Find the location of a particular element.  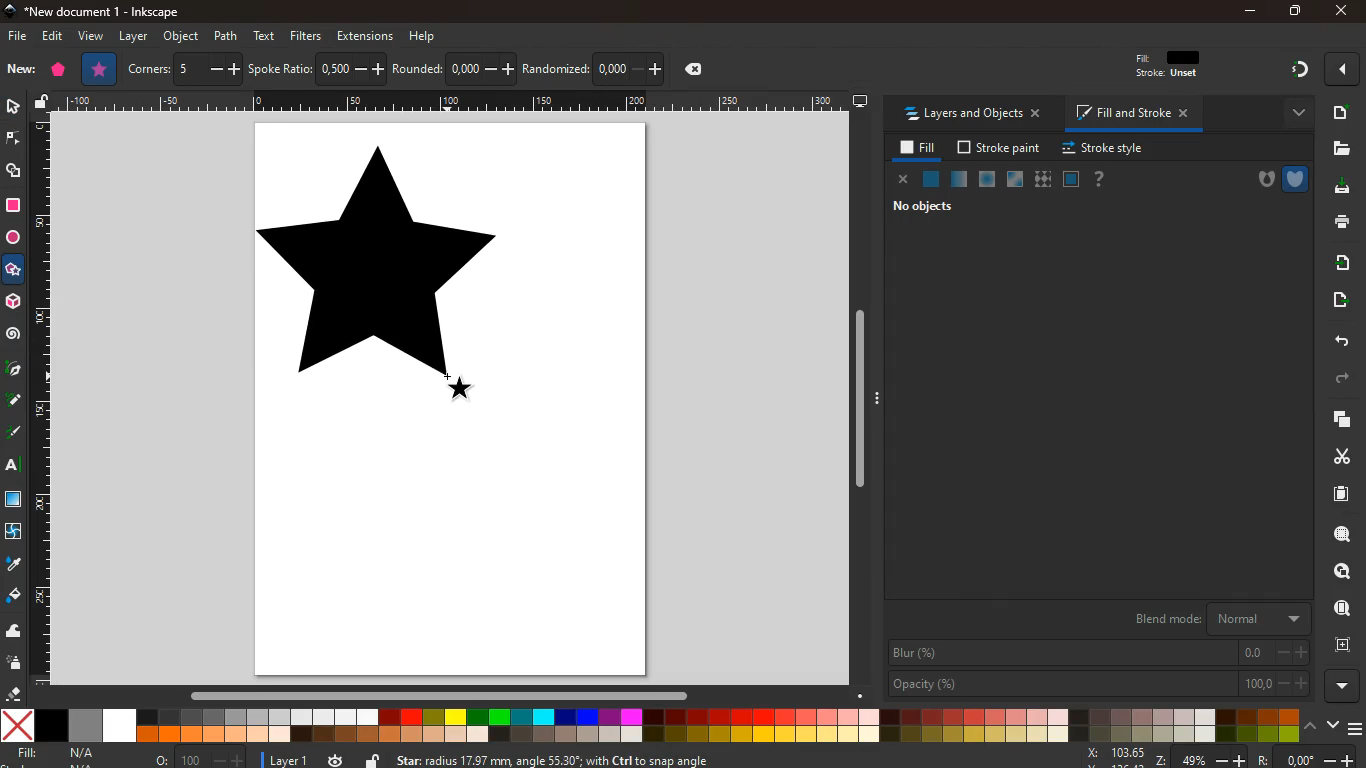

Star: radius 17.97 mm angle 55.30; with Ctrl to snap angle. is located at coordinates (564, 758).